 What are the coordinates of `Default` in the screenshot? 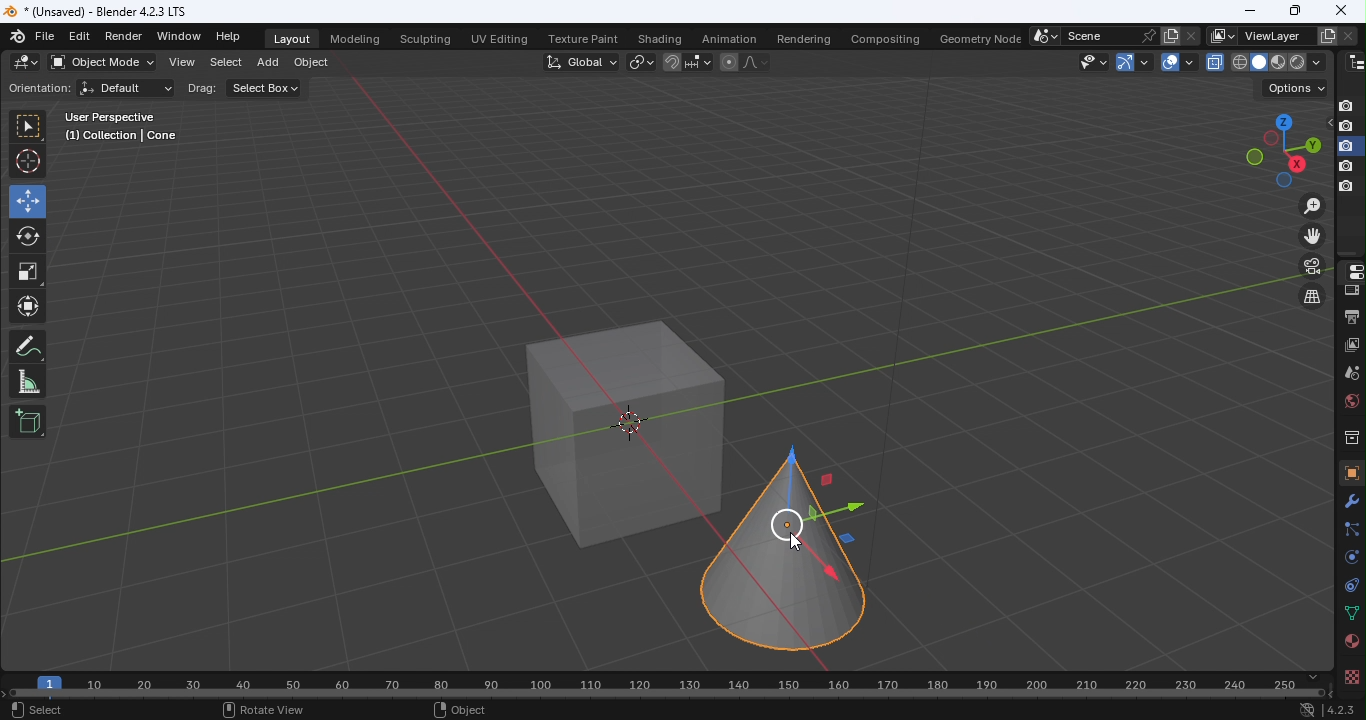 It's located at (126, 88).